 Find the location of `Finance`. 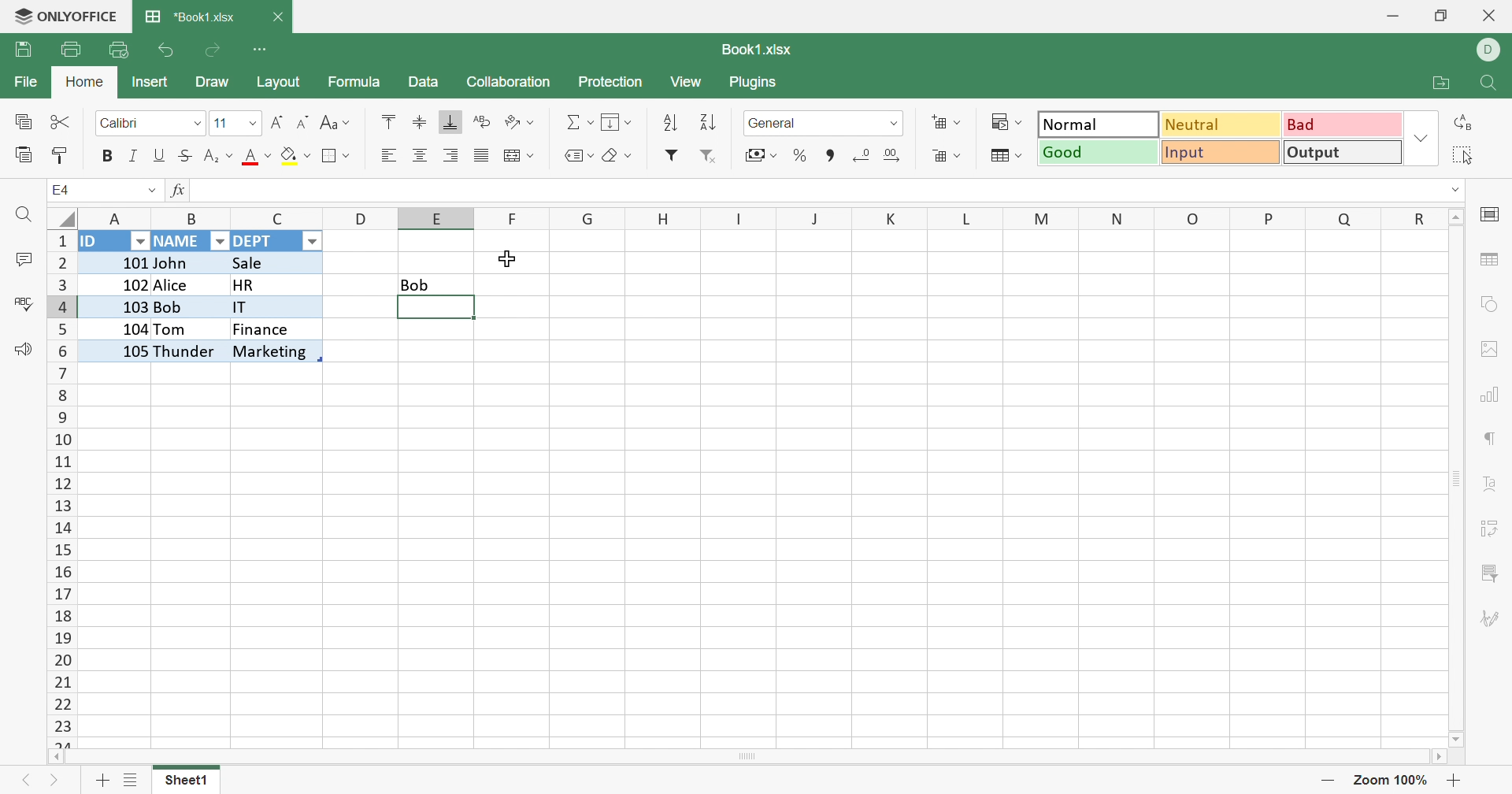

Finance is located at coordinates (264, 331).